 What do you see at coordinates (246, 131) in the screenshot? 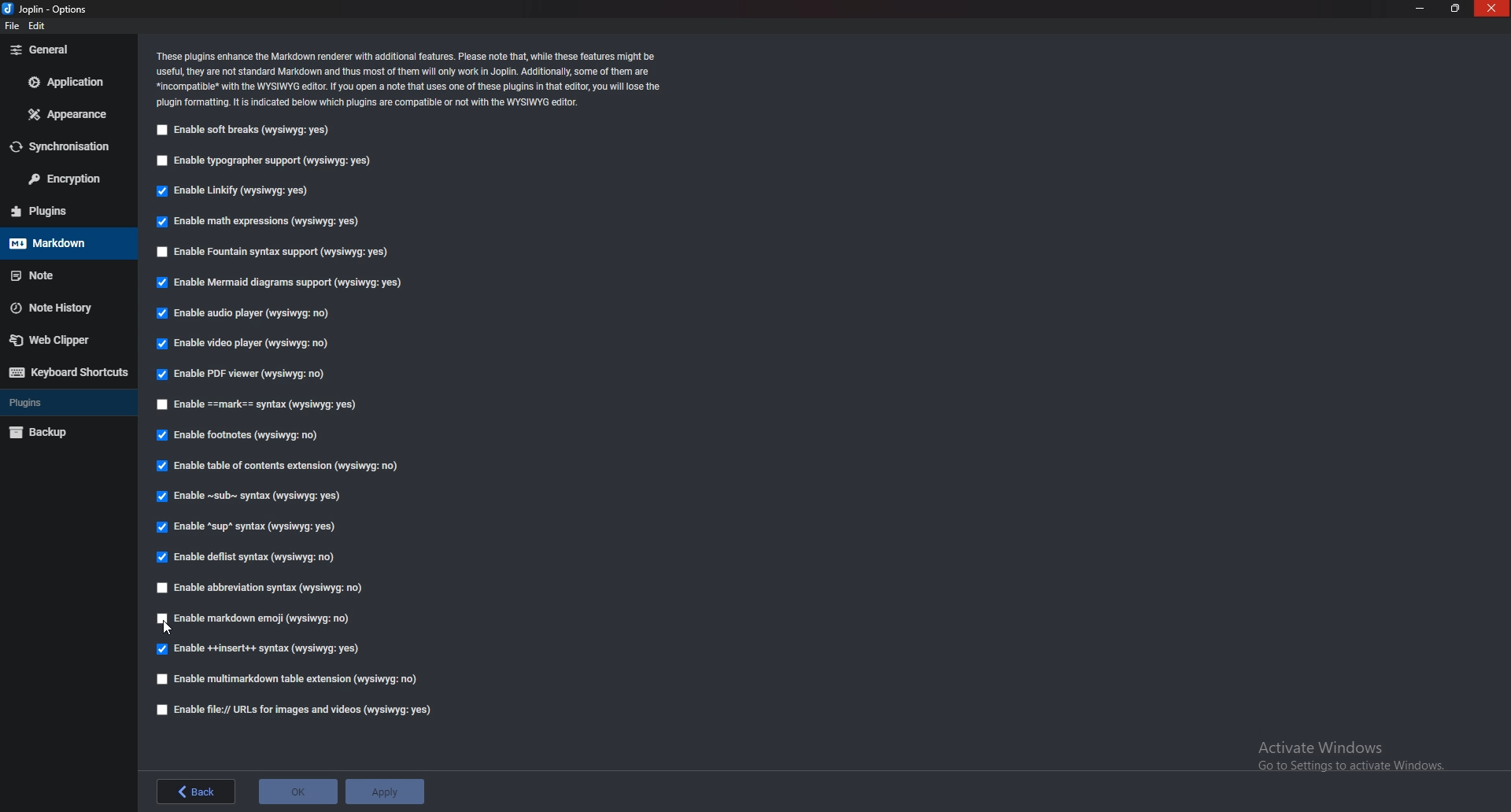
I see `Enable soft breaks` at bounding box center [246, 131].